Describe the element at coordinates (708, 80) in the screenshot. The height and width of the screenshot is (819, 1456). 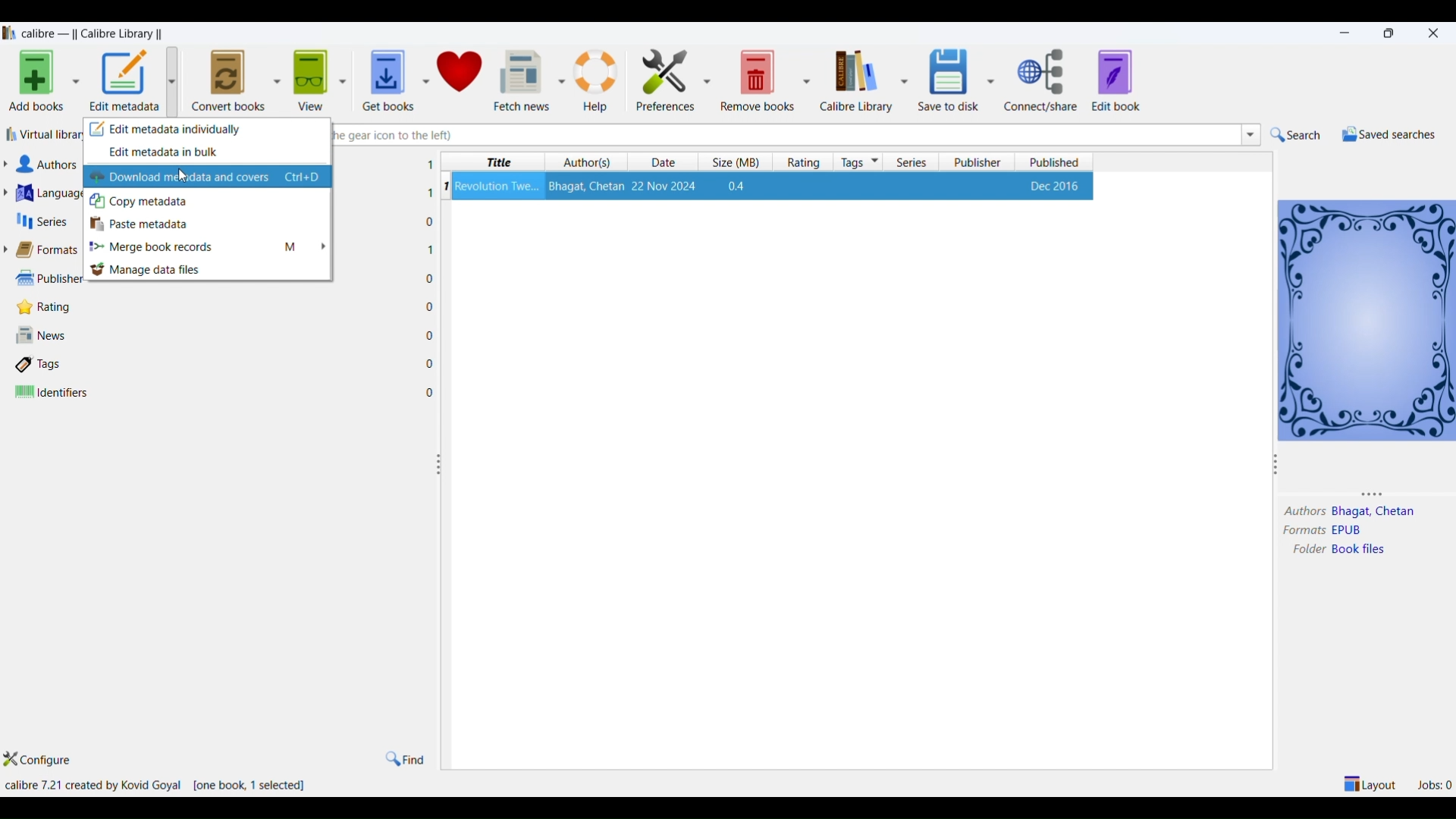
I see `preferences options dropdown button` at that location.